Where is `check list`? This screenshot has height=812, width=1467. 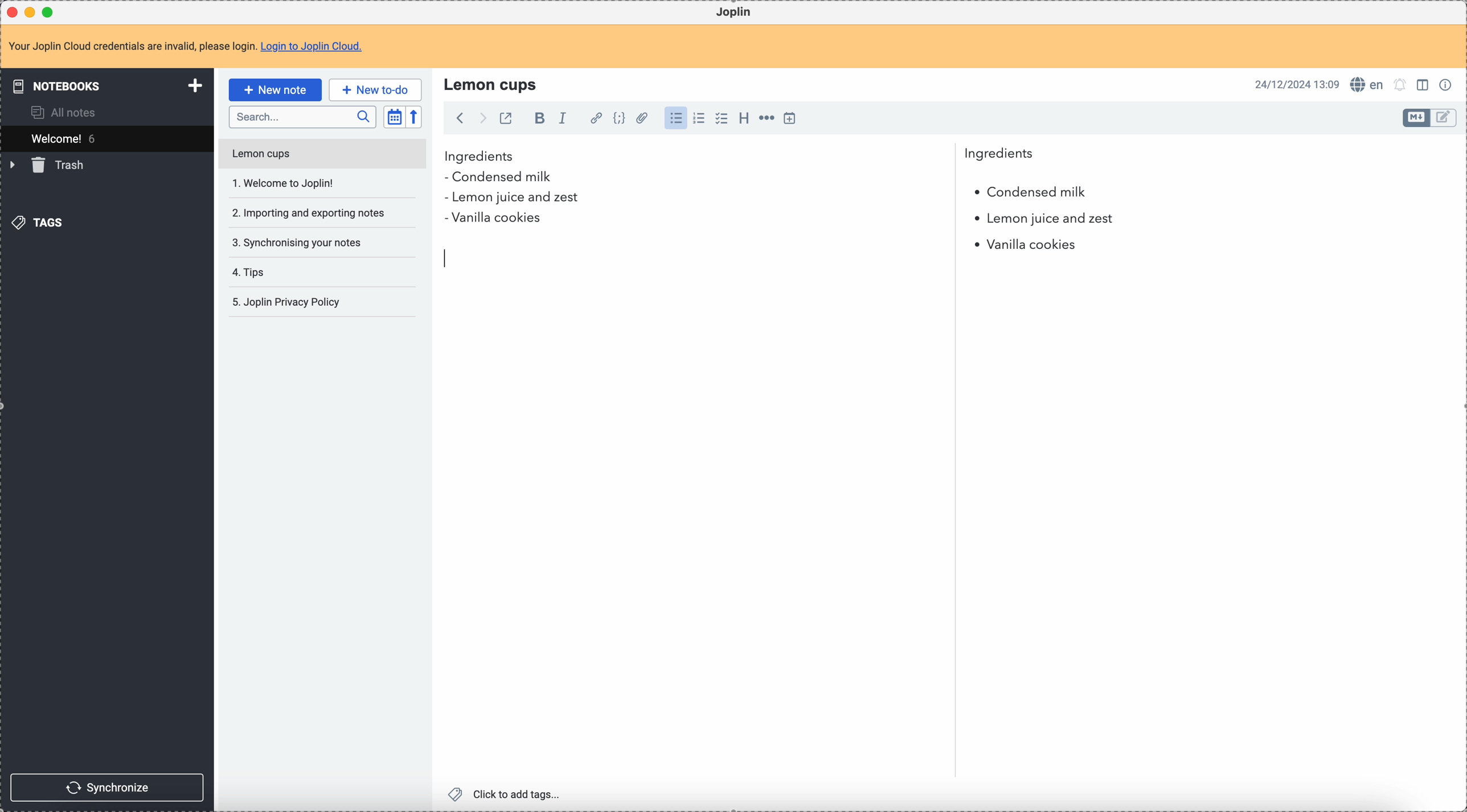 check list is located at coordinates (721, 118).